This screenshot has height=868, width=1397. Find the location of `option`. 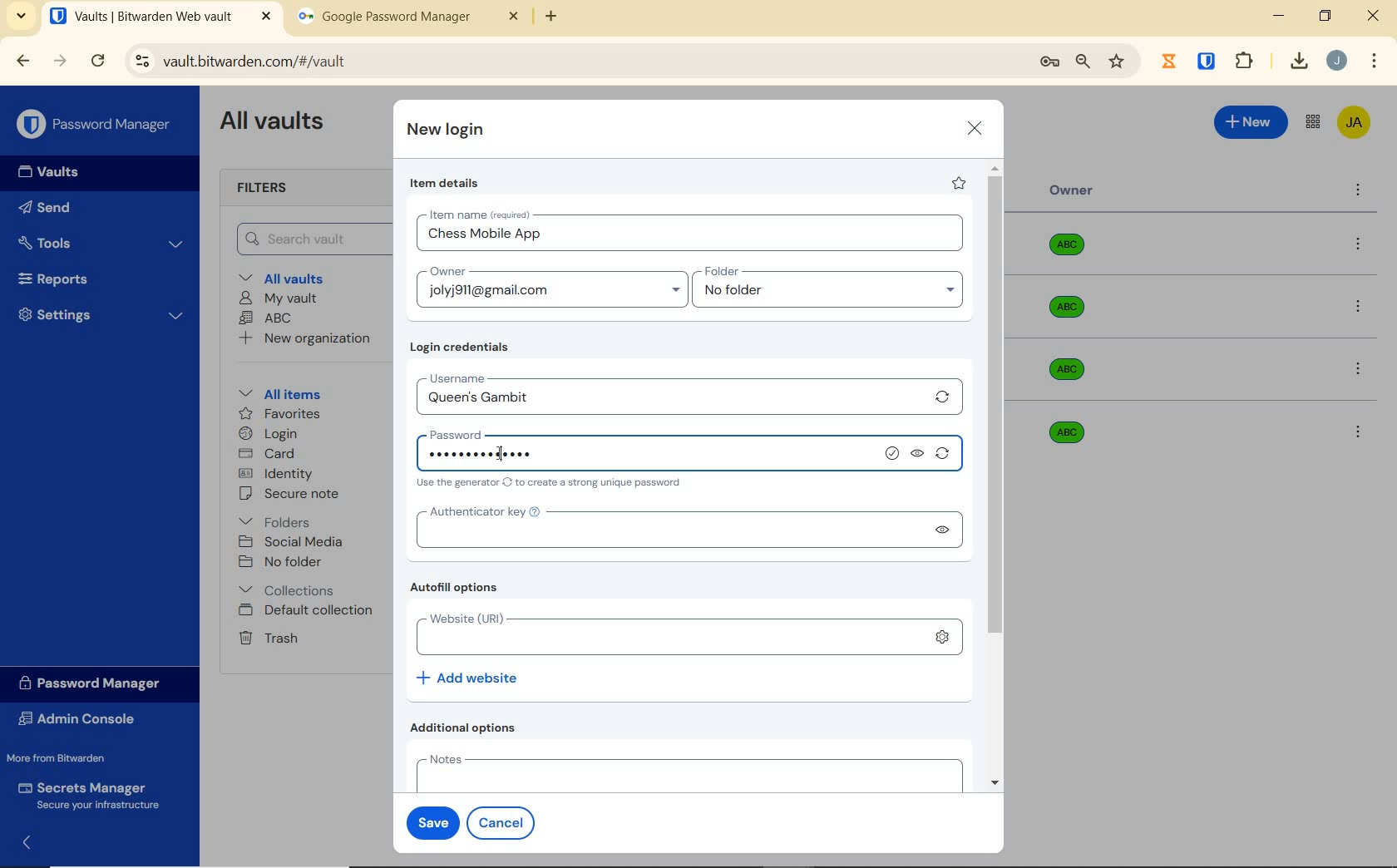

option is located at coordinates (1361, 371).